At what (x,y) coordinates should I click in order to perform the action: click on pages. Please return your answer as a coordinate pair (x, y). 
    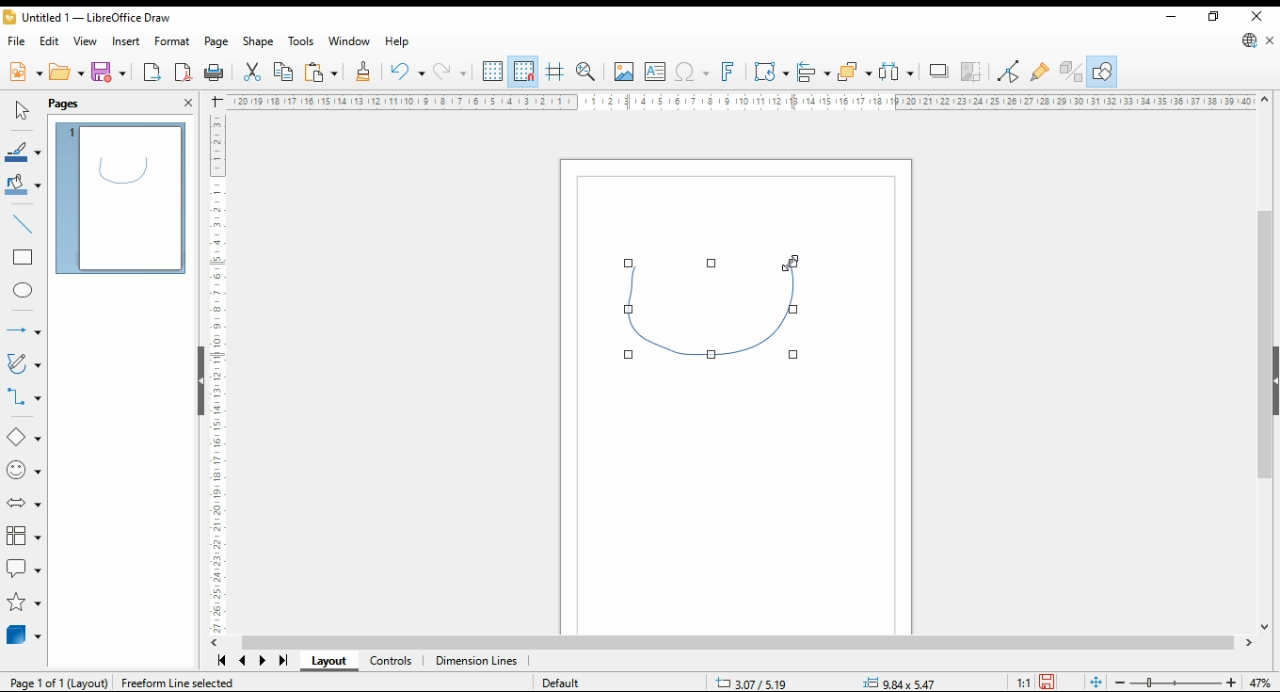
    Looking at the image, I should click on (65, 104).